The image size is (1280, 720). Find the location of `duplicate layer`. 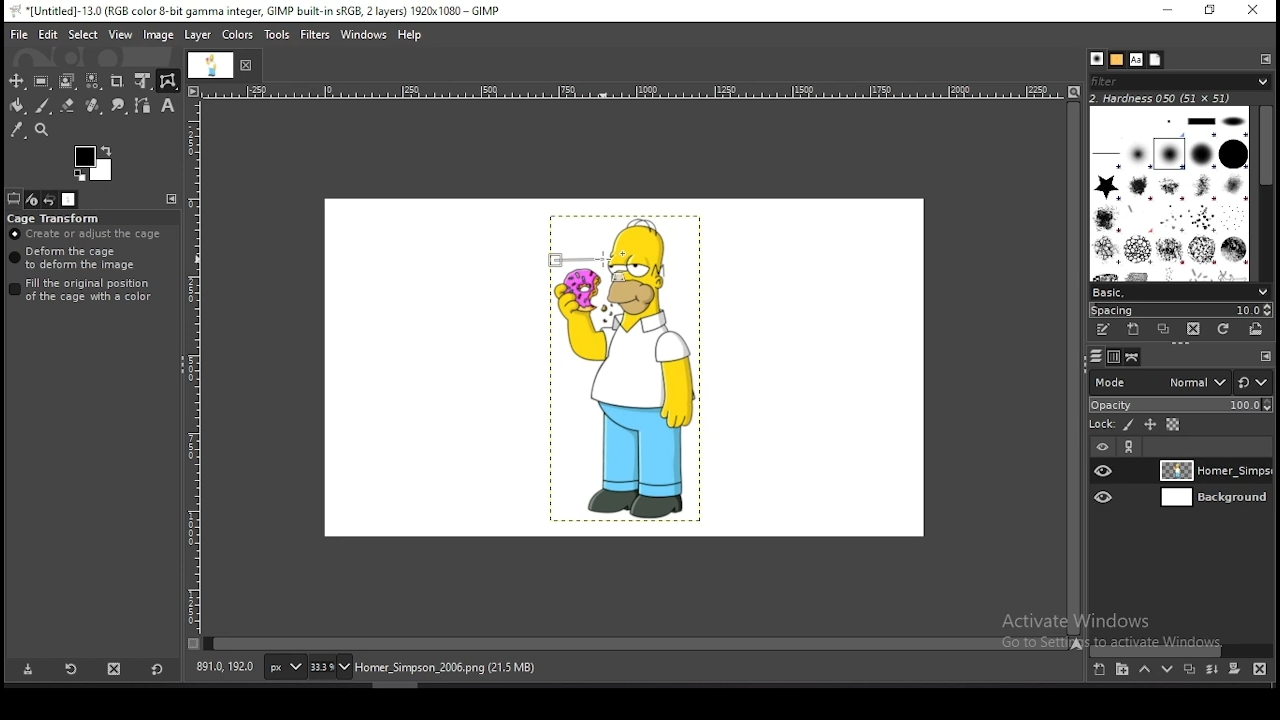

duplicate layer is located at coordinates (1189, 672).